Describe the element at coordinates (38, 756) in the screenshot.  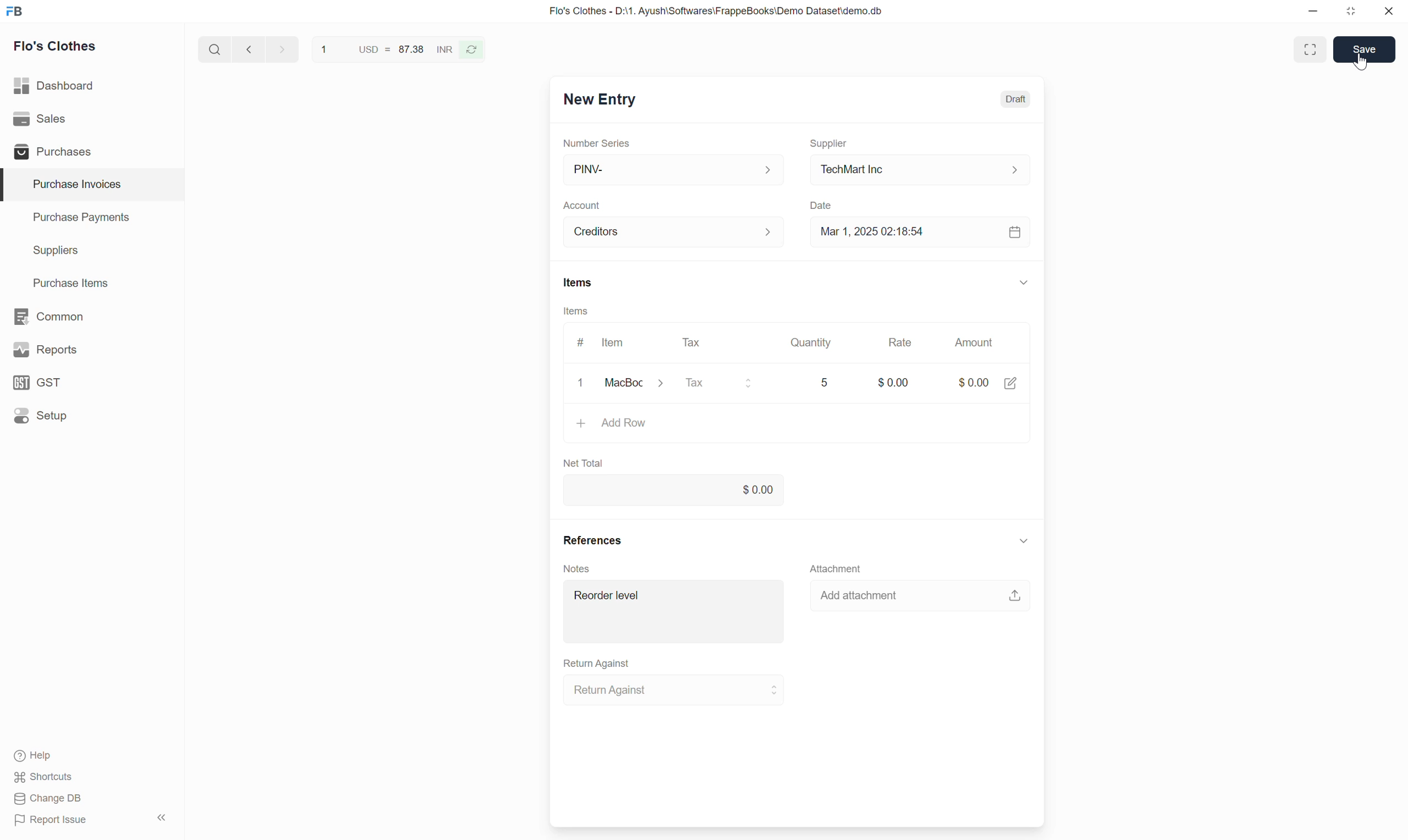
I see `Help` at that location.